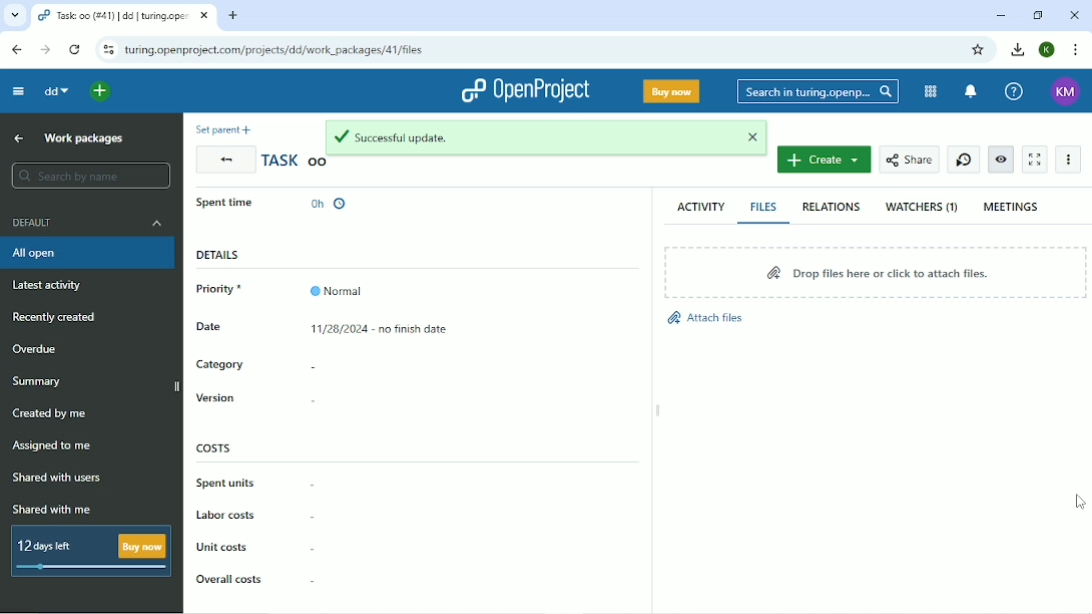 The image size is (1092, 614). I want to click on Reload this page, so click(74, 50).